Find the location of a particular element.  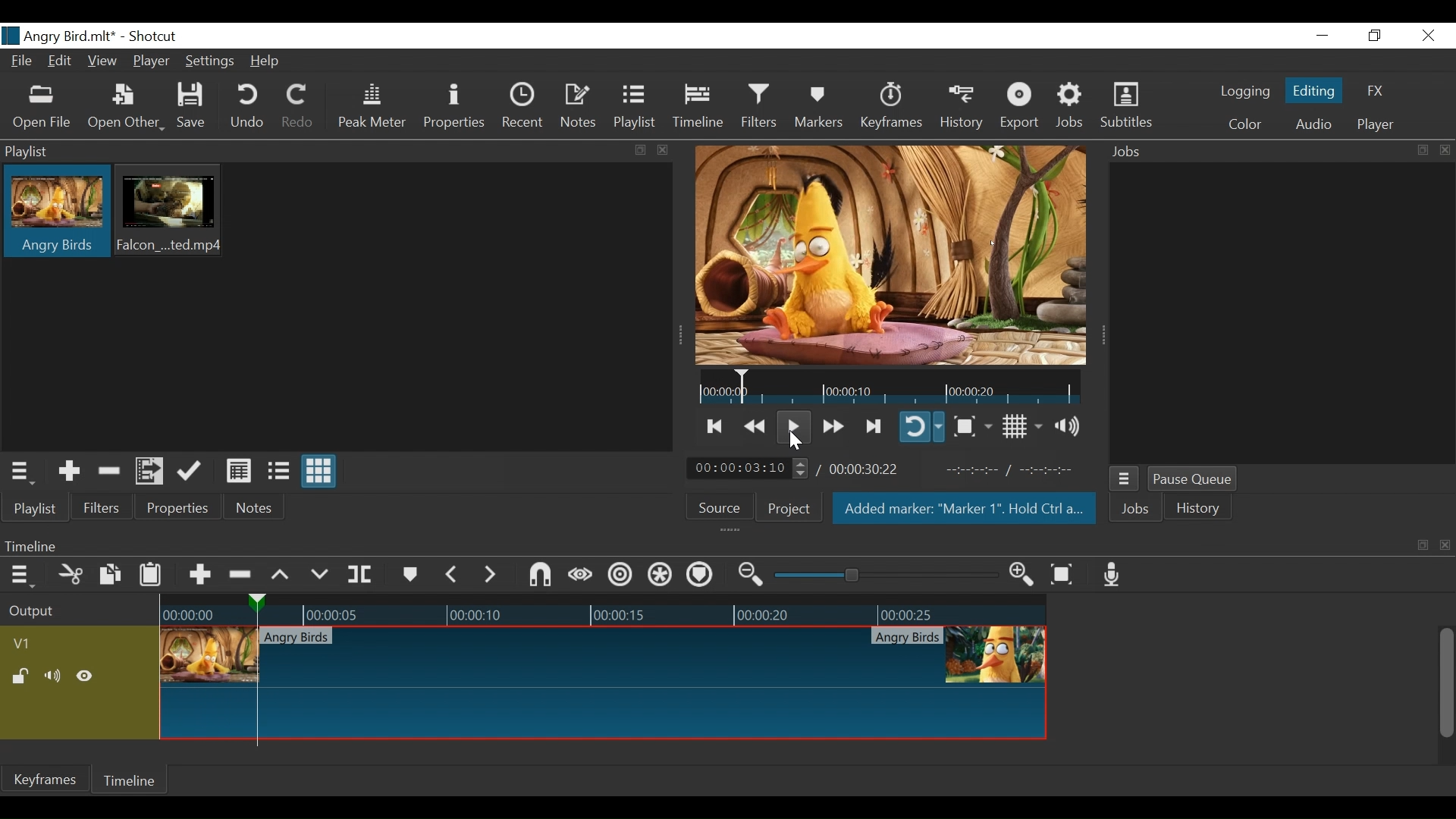

Redo is located at coordinates (300, 106).